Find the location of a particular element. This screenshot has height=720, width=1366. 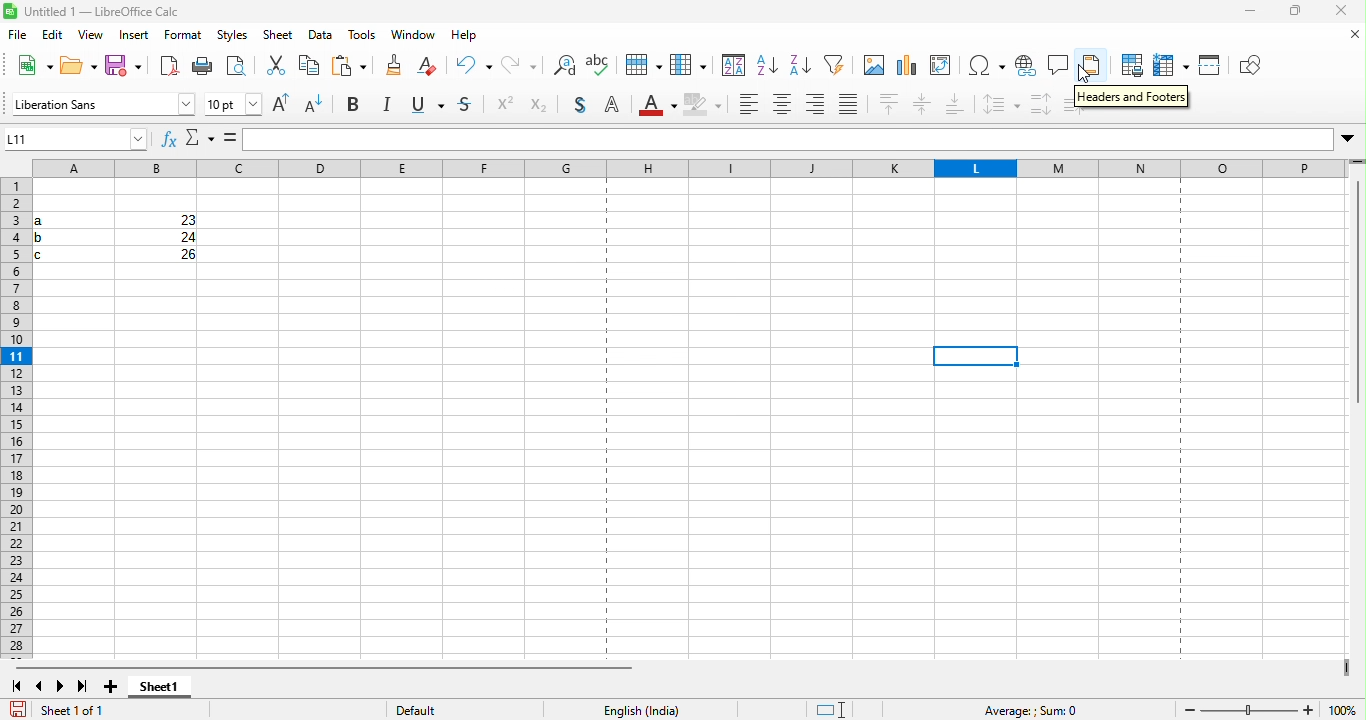

close is located at coordinates (1348, 35).